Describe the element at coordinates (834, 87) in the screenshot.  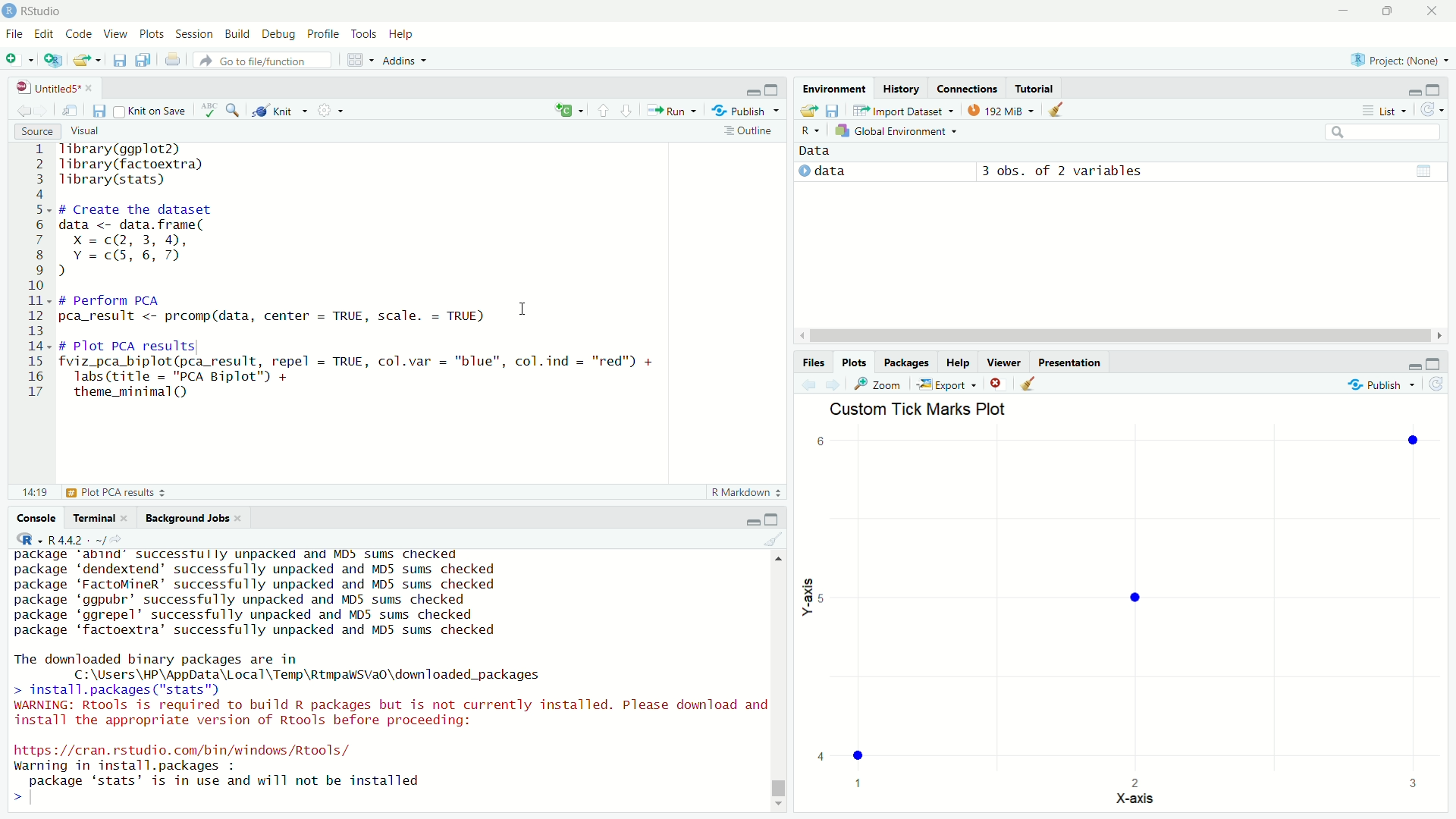
I see `environment` at that location.